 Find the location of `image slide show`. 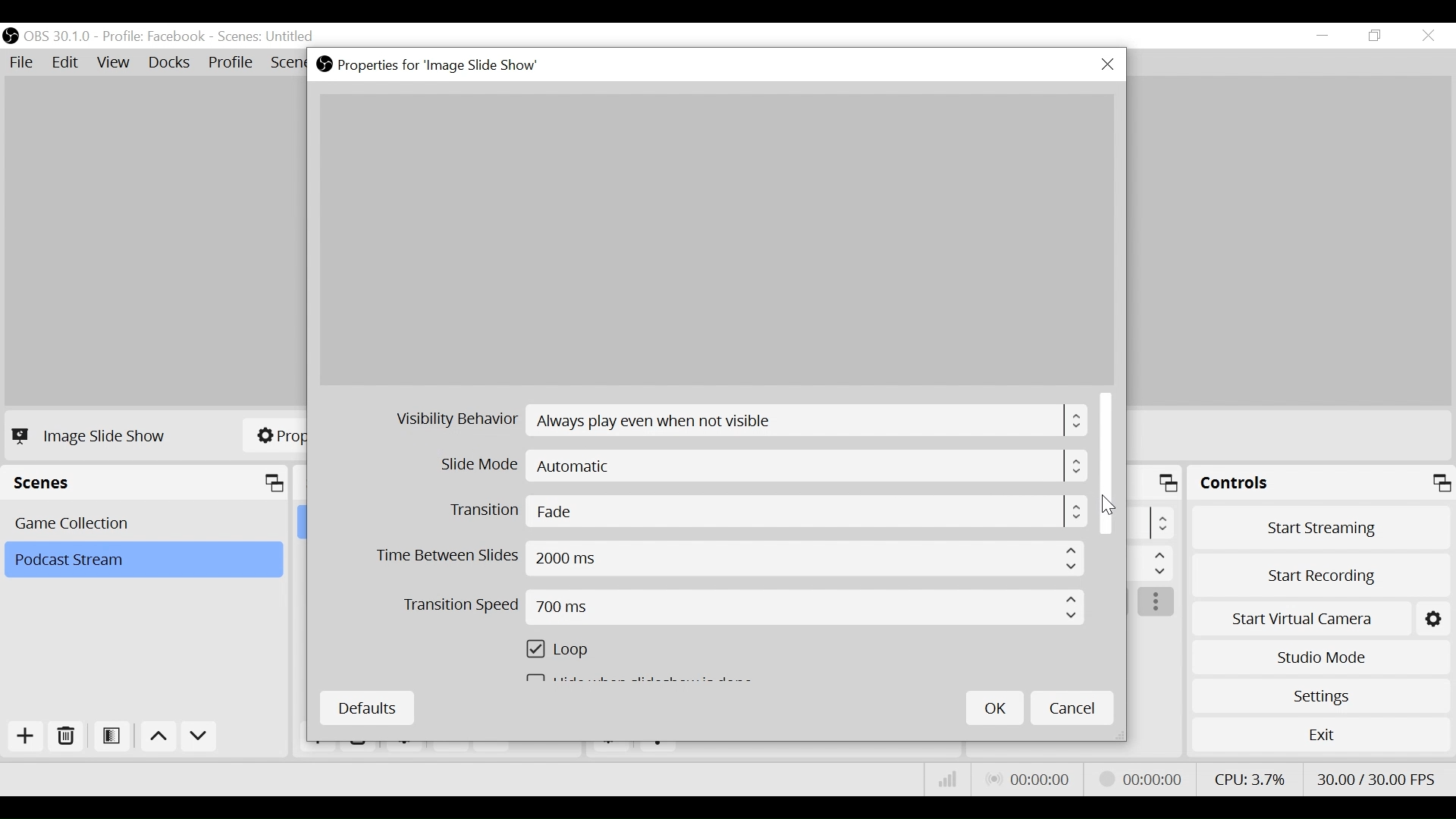

image slide show is located at coordinates (93, 435).